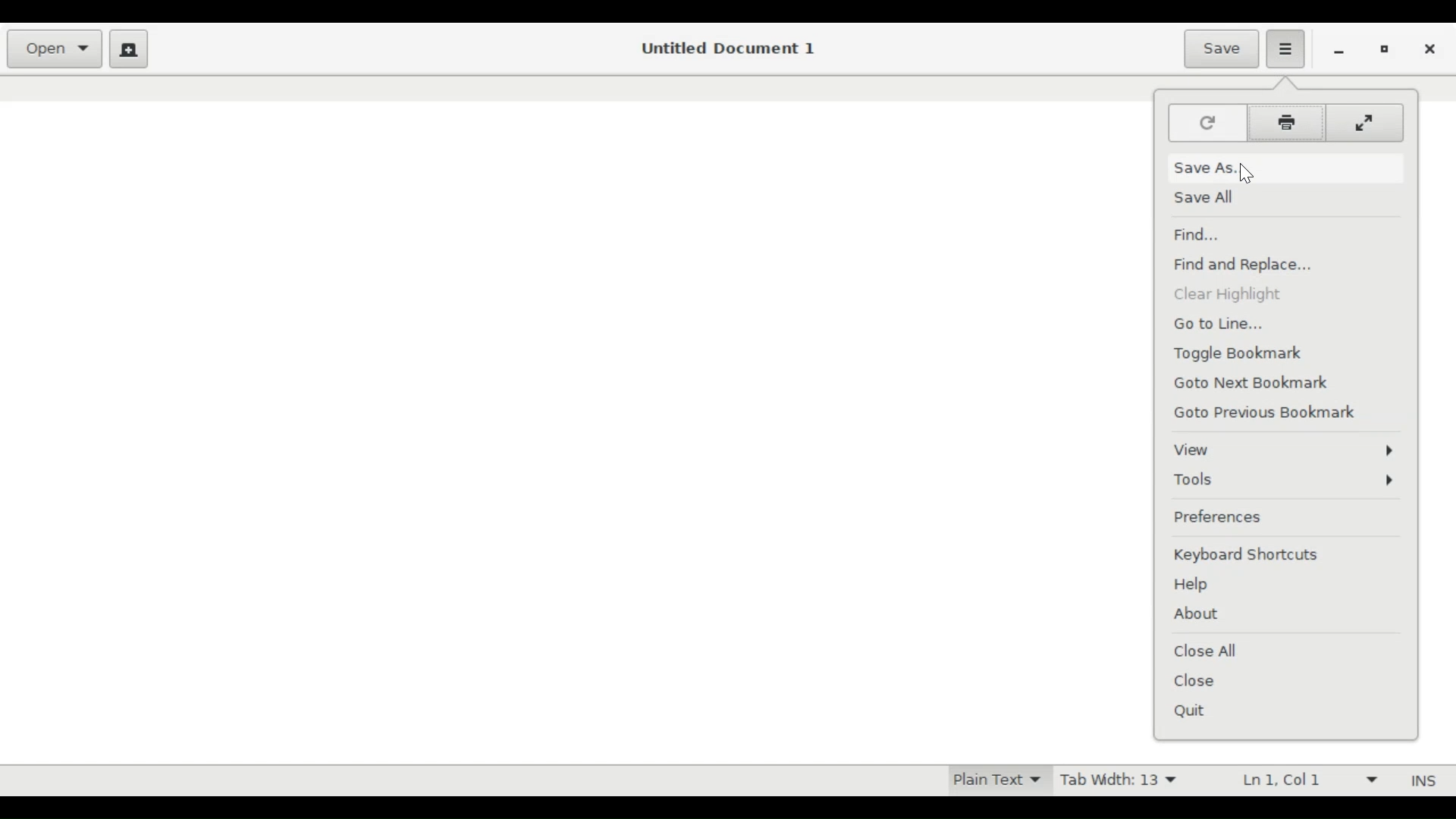 This screenshot has width=1456, height=819. What do you see at coordinates (1420, 781) in the screenshot?
I see `Insert Mode` at bounding box center [1420, 781].